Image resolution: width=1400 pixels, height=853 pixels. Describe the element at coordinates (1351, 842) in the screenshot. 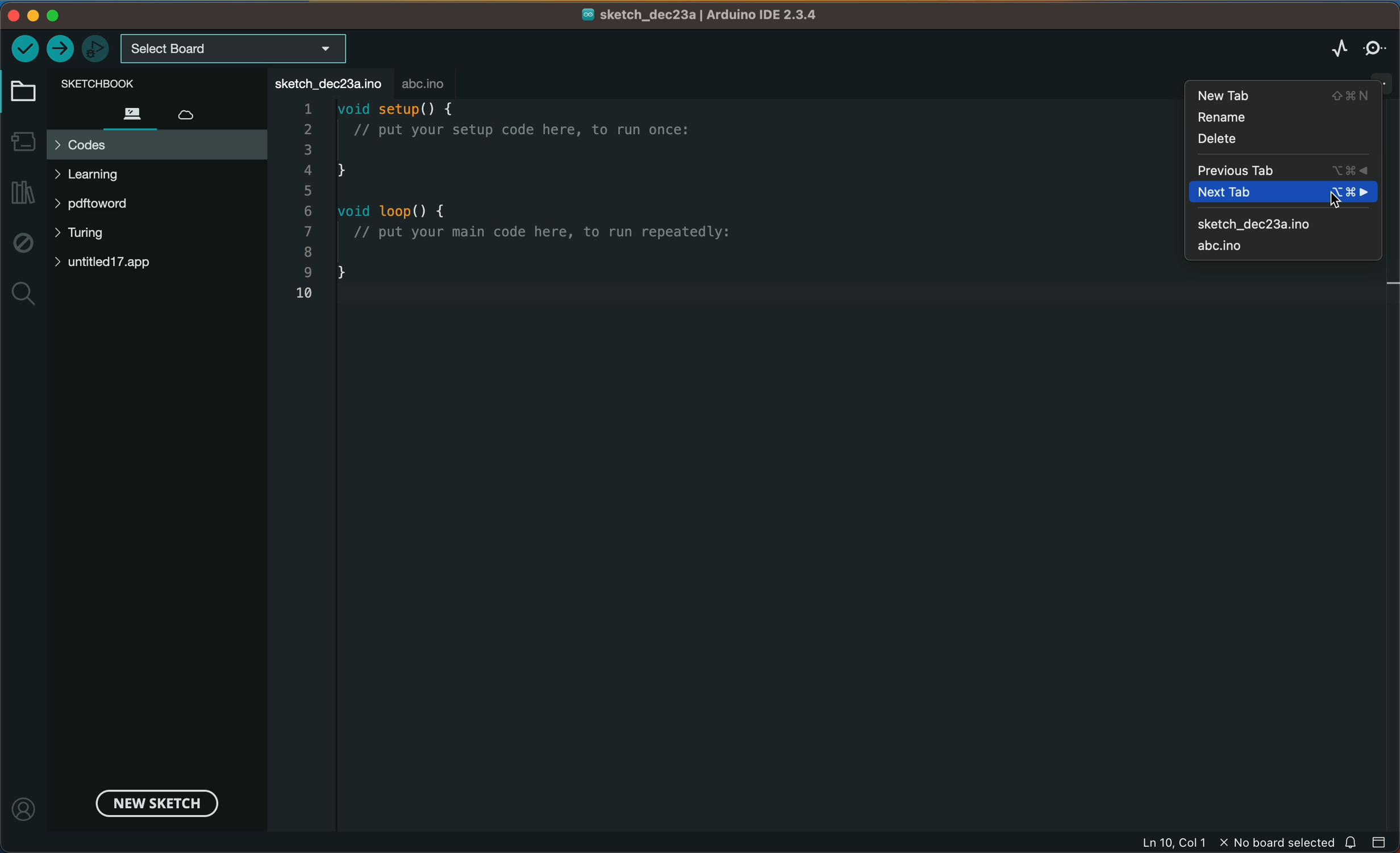

I see `notification` at that location.